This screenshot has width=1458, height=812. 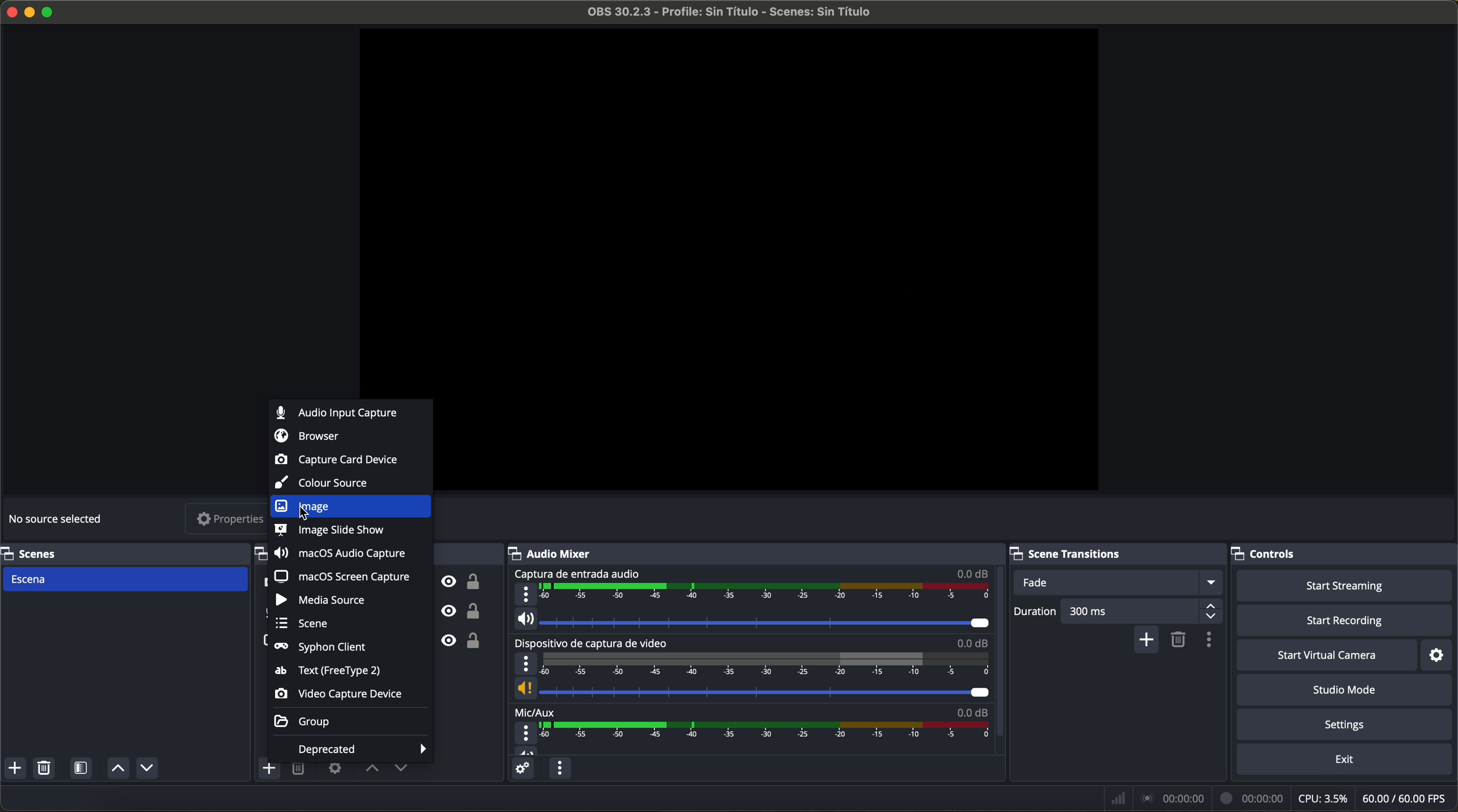 I want to click on click on image, so click(x=350, y=508).